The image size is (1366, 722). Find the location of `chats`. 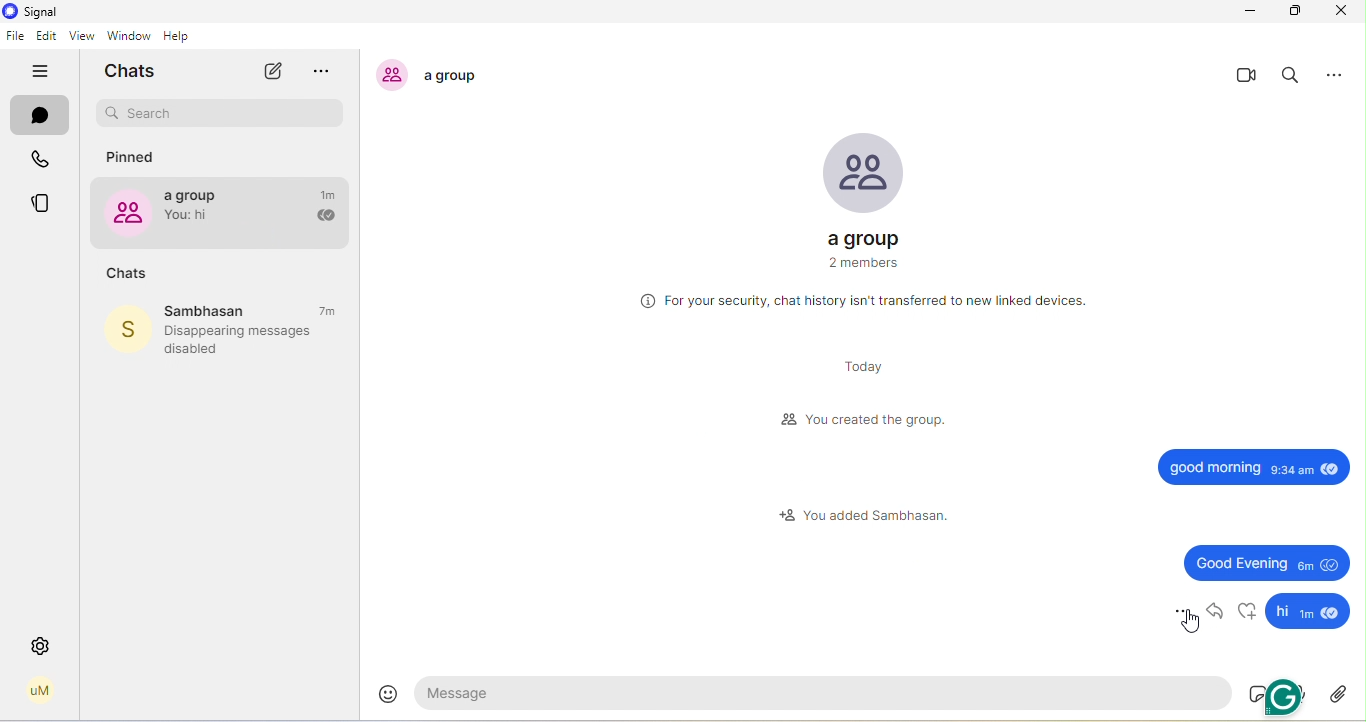

chats is located at coordinates (127, 274).